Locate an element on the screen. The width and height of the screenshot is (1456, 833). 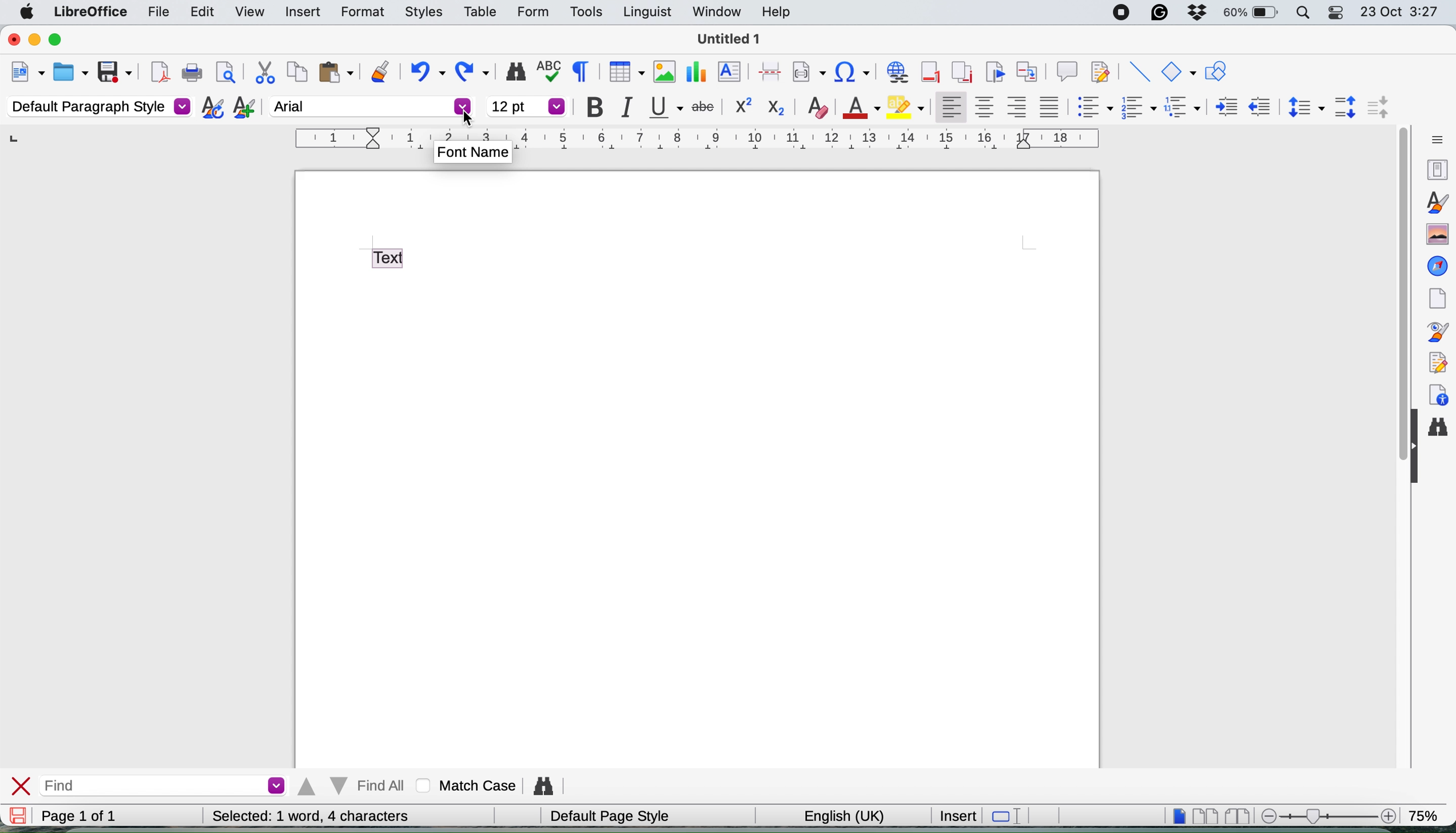
insert comment is located at coordinates (1066, 72).